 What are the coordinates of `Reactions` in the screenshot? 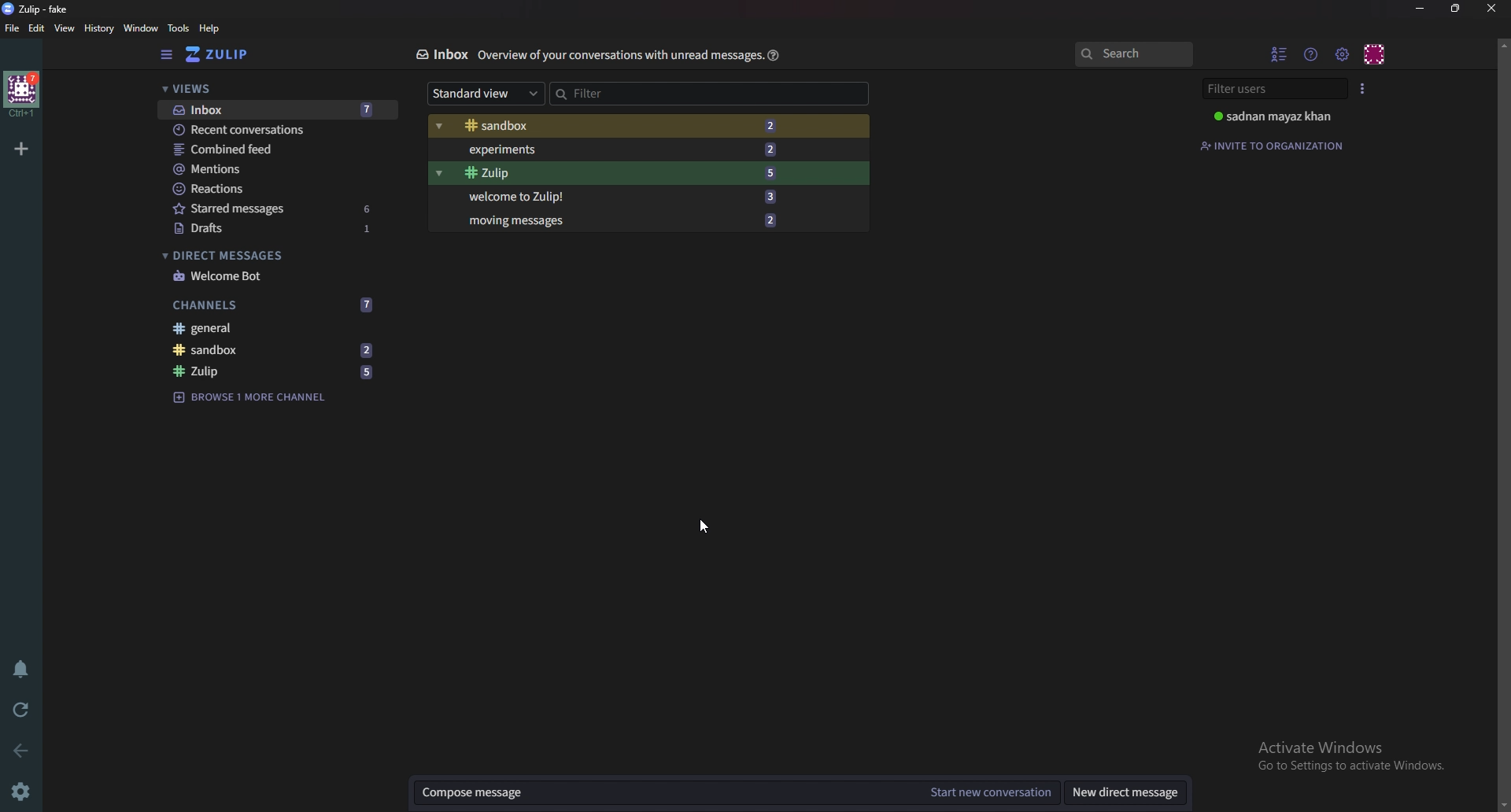 It's located at (268, 188).